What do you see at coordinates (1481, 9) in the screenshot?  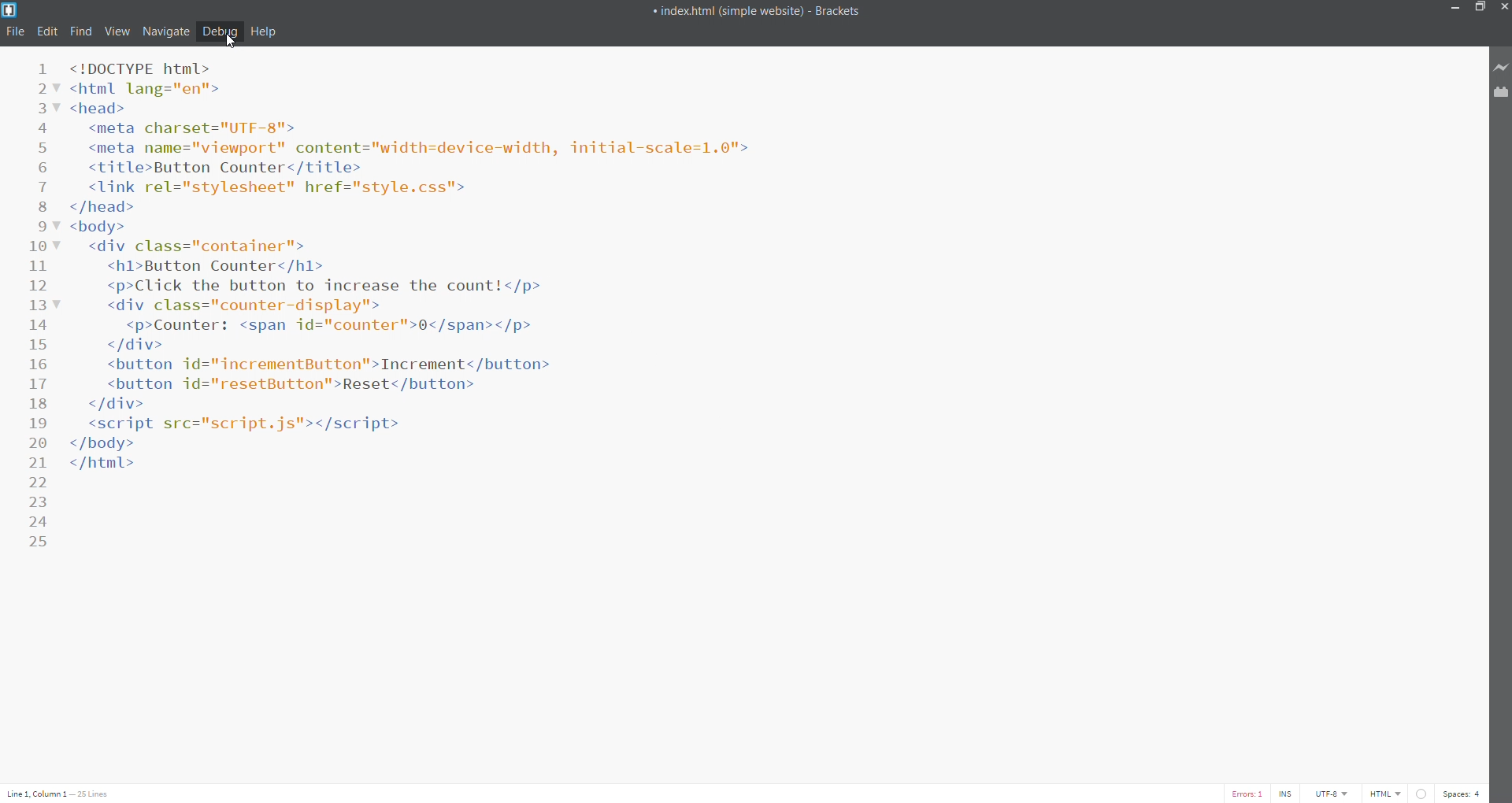 I see `maximize/restore` at bounding box center [1481, 9].